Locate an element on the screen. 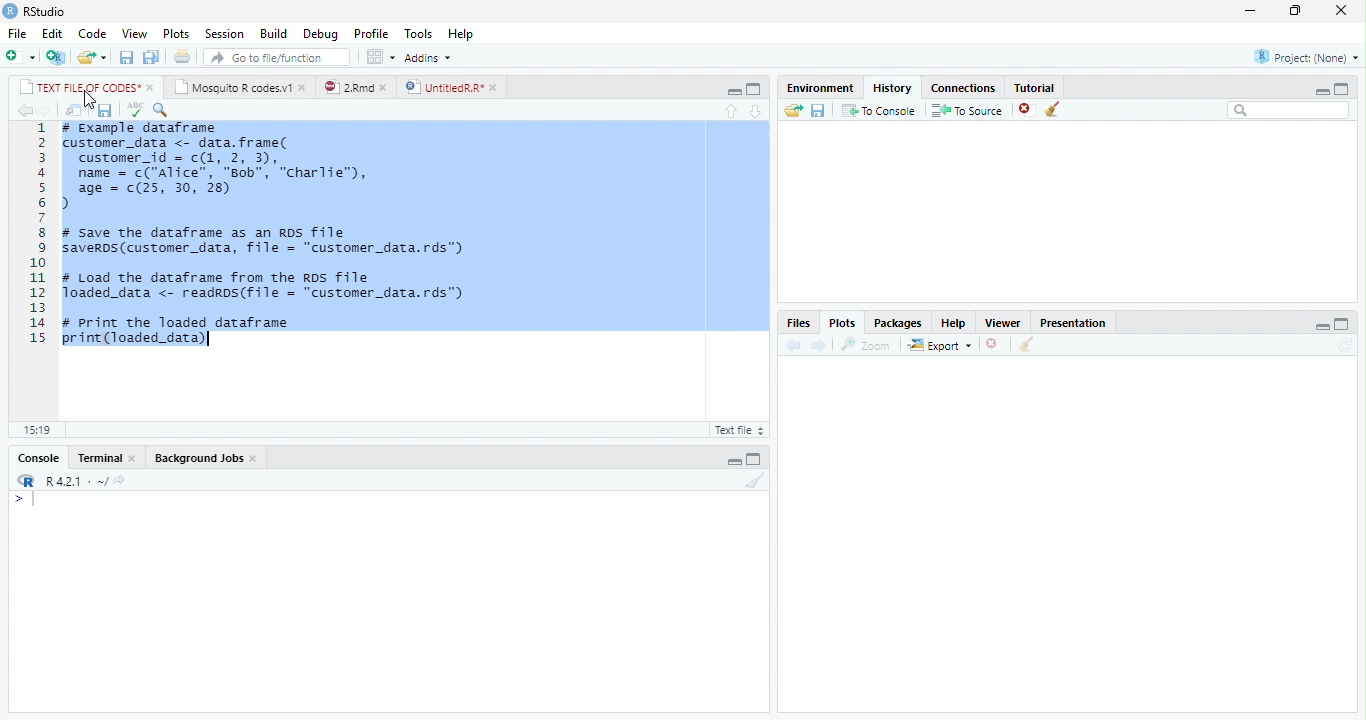 The width and height of the screenshot is (1366, 720). close is located at coordinates (256, 459).